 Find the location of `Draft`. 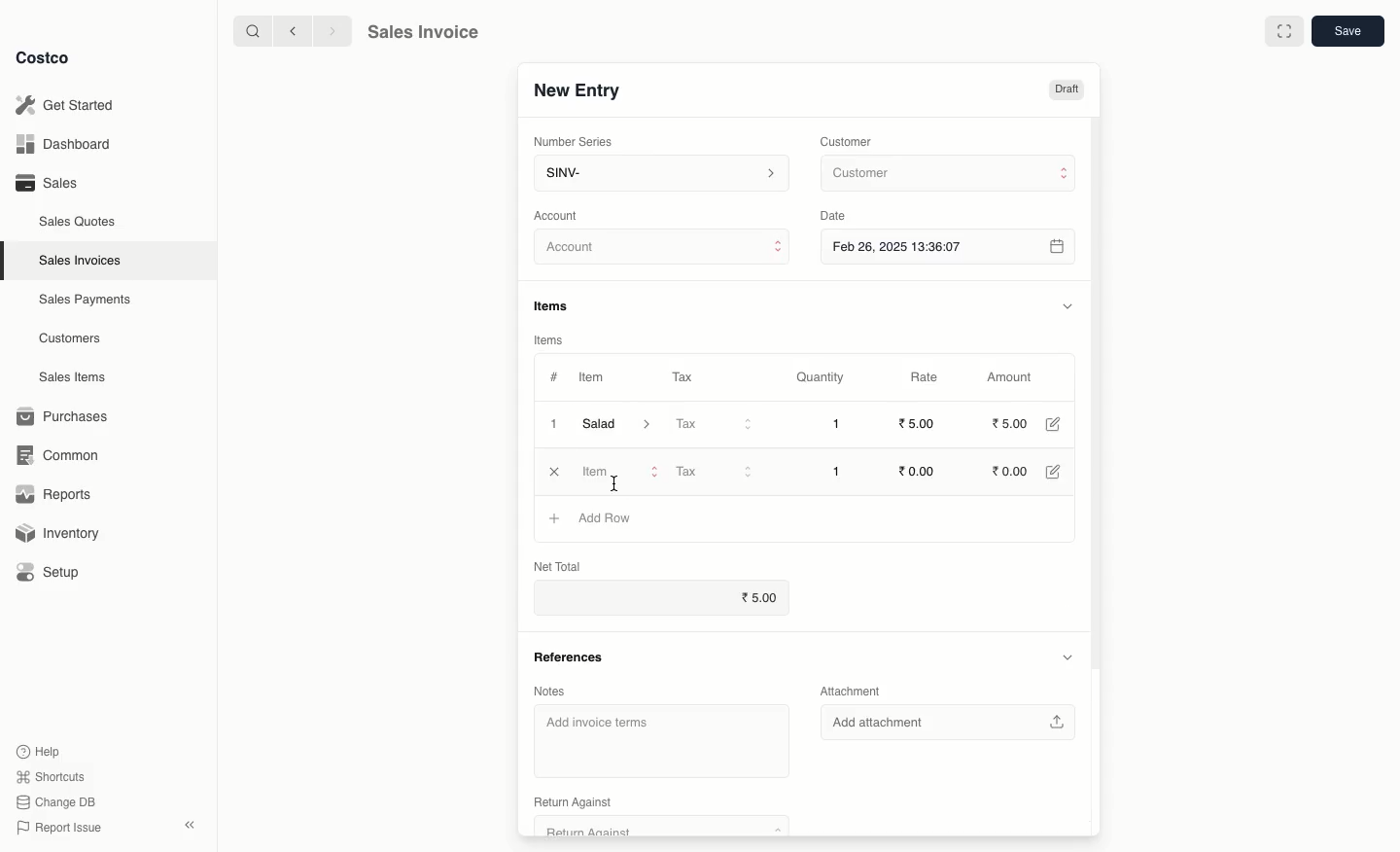

Draft is located at coordinates (1067, 90).